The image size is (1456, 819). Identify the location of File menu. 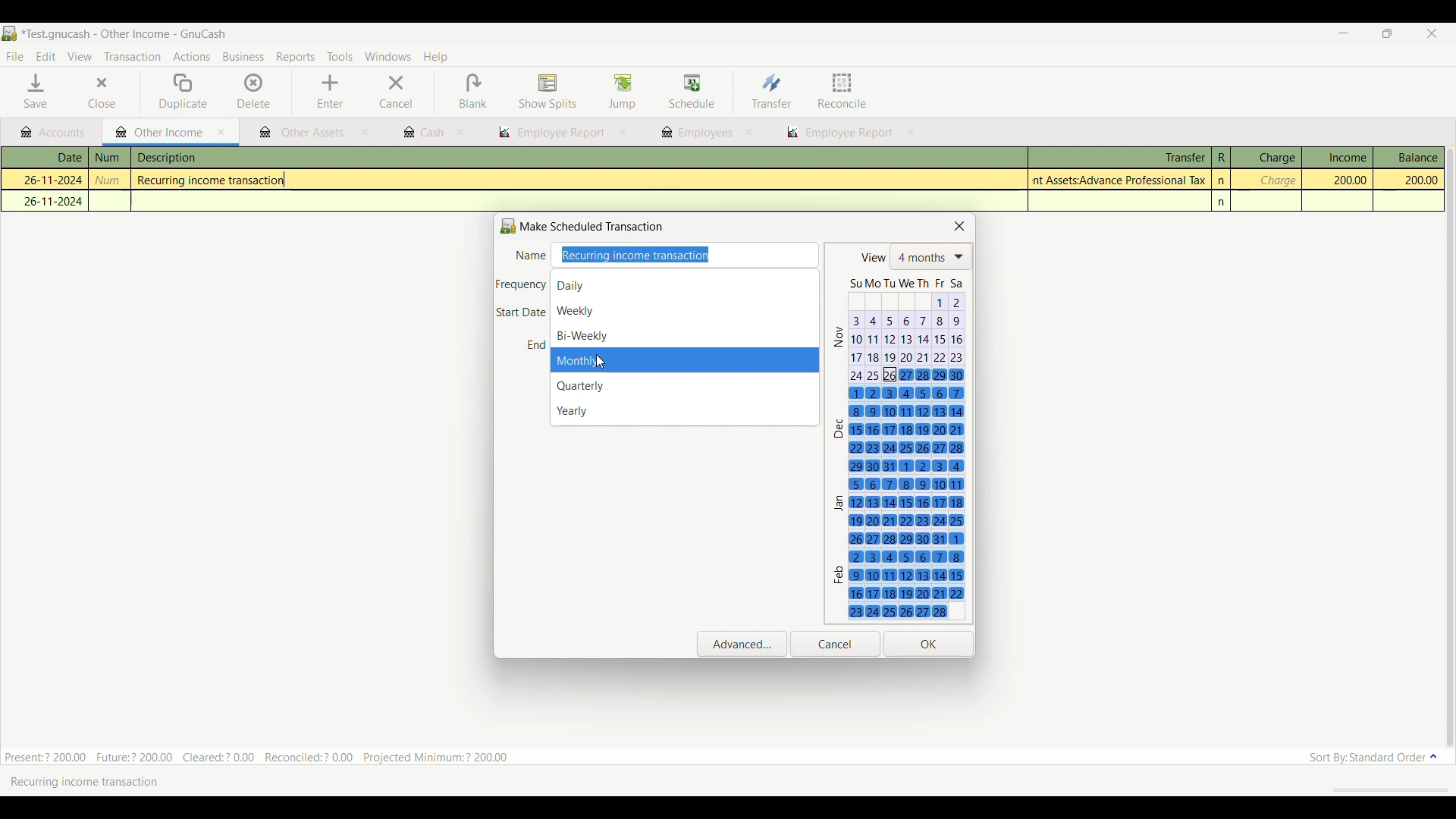
(14, 57).